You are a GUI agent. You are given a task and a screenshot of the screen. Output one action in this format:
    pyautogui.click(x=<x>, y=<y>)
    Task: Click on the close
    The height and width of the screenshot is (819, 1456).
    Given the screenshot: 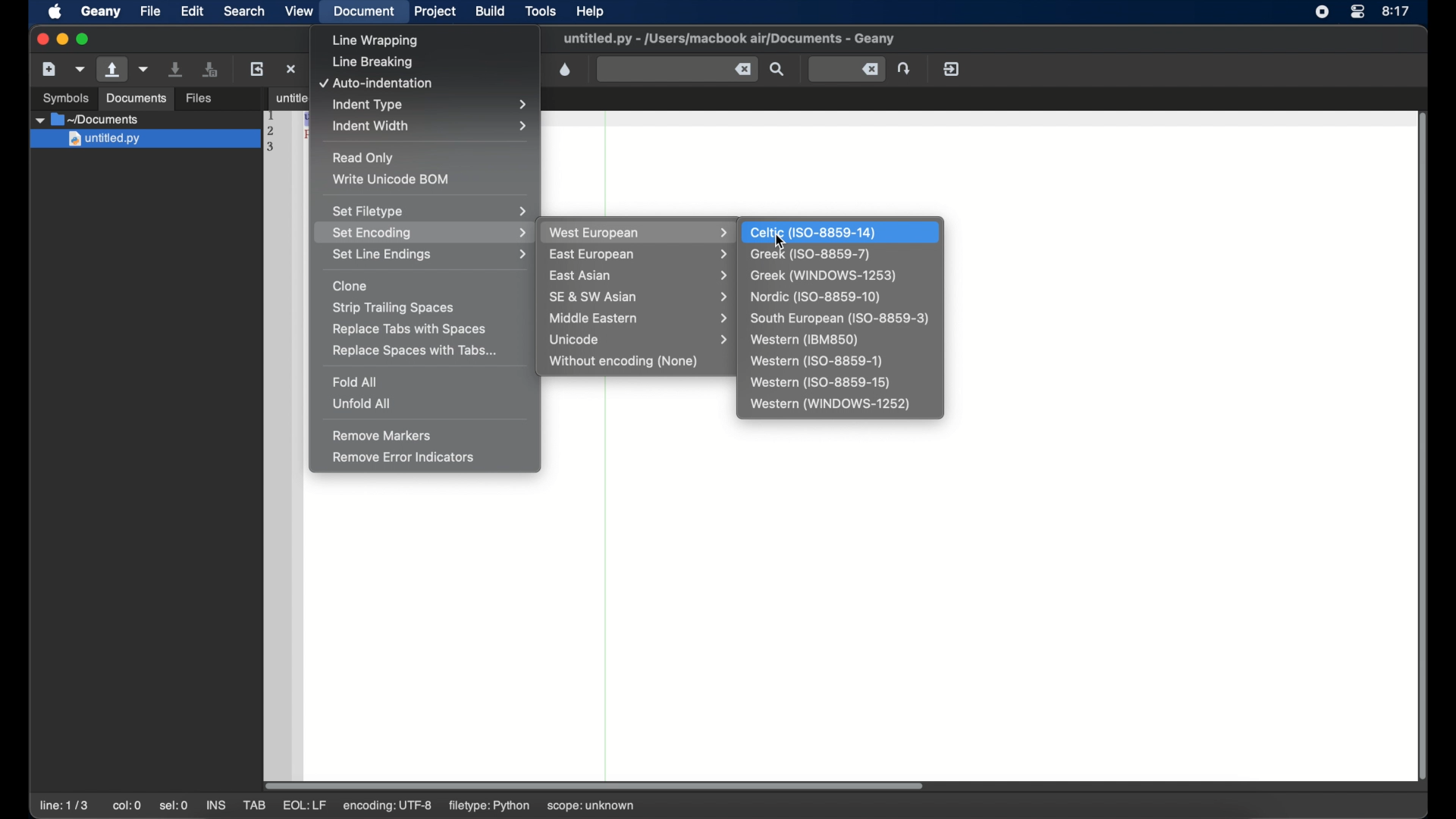 What is the action you would take?
    pyautogui.click(x=41, y=38)
    